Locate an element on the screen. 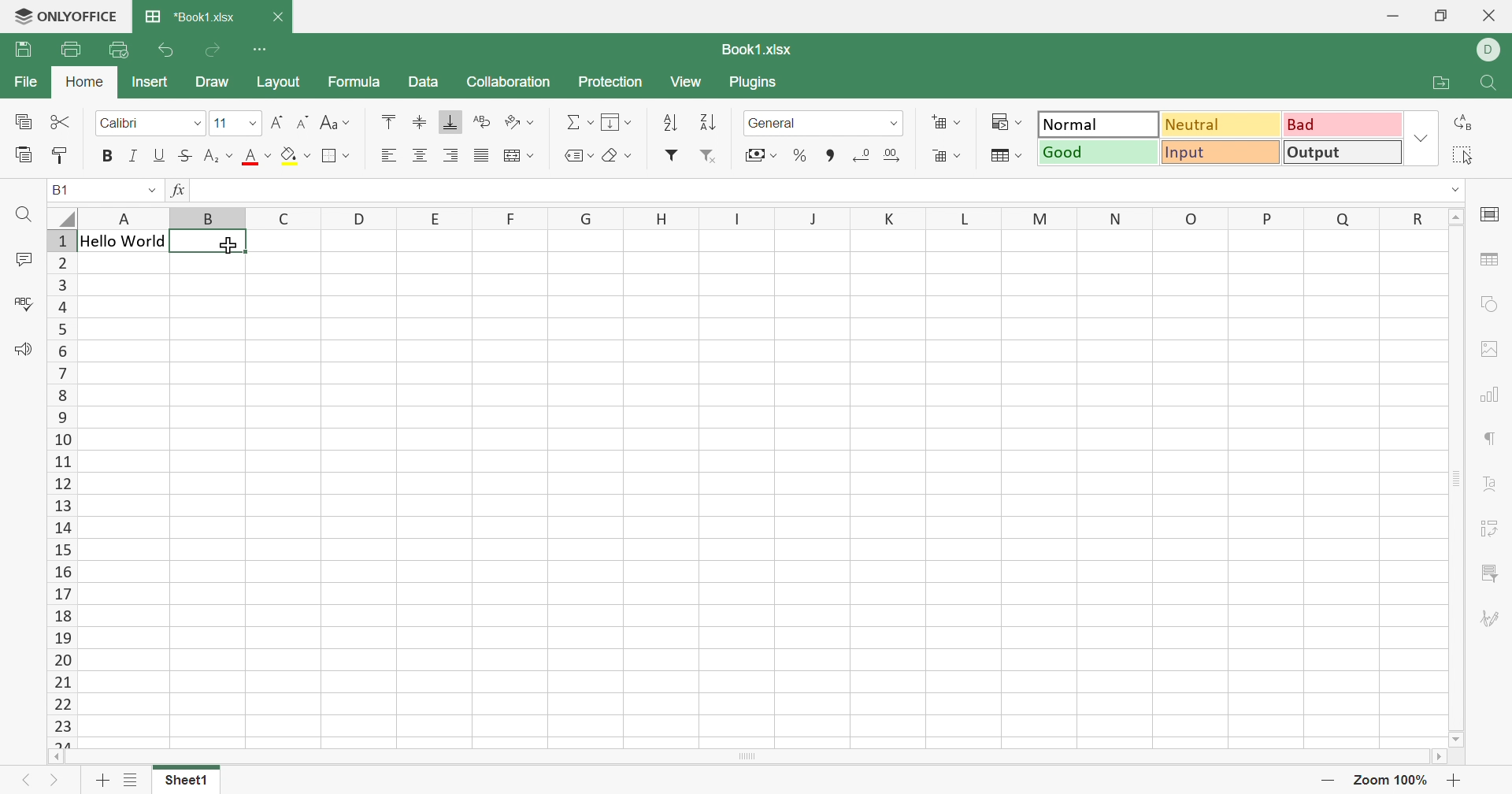 This screenshot has width=1512, height=794. Data is located at coordinates (418, 82).